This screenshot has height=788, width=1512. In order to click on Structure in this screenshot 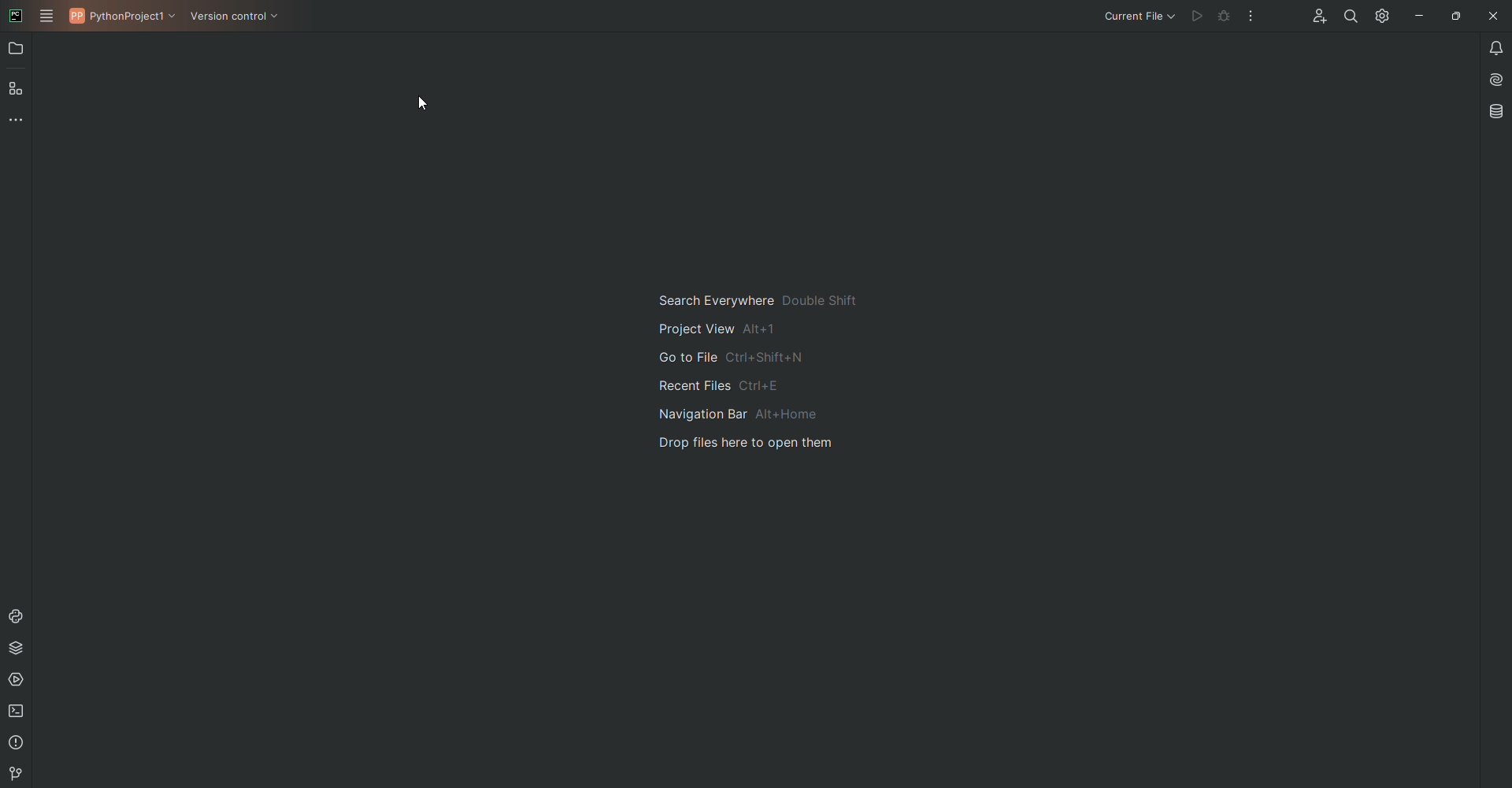, I will do `click(18, 91)`.